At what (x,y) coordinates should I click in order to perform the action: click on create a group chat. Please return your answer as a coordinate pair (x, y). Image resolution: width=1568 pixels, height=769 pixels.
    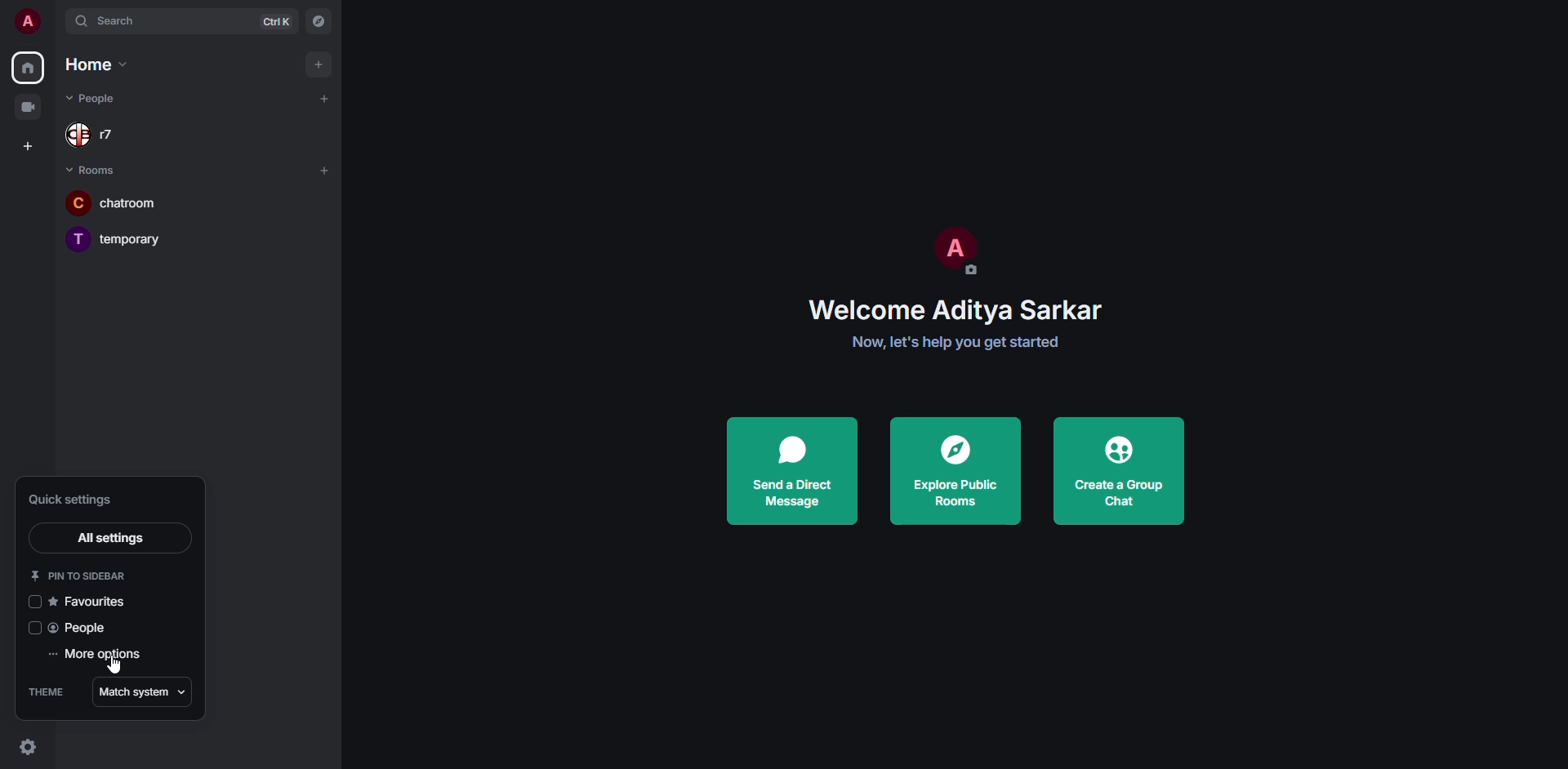
    Looking at the image, I should click on (1125, 475).